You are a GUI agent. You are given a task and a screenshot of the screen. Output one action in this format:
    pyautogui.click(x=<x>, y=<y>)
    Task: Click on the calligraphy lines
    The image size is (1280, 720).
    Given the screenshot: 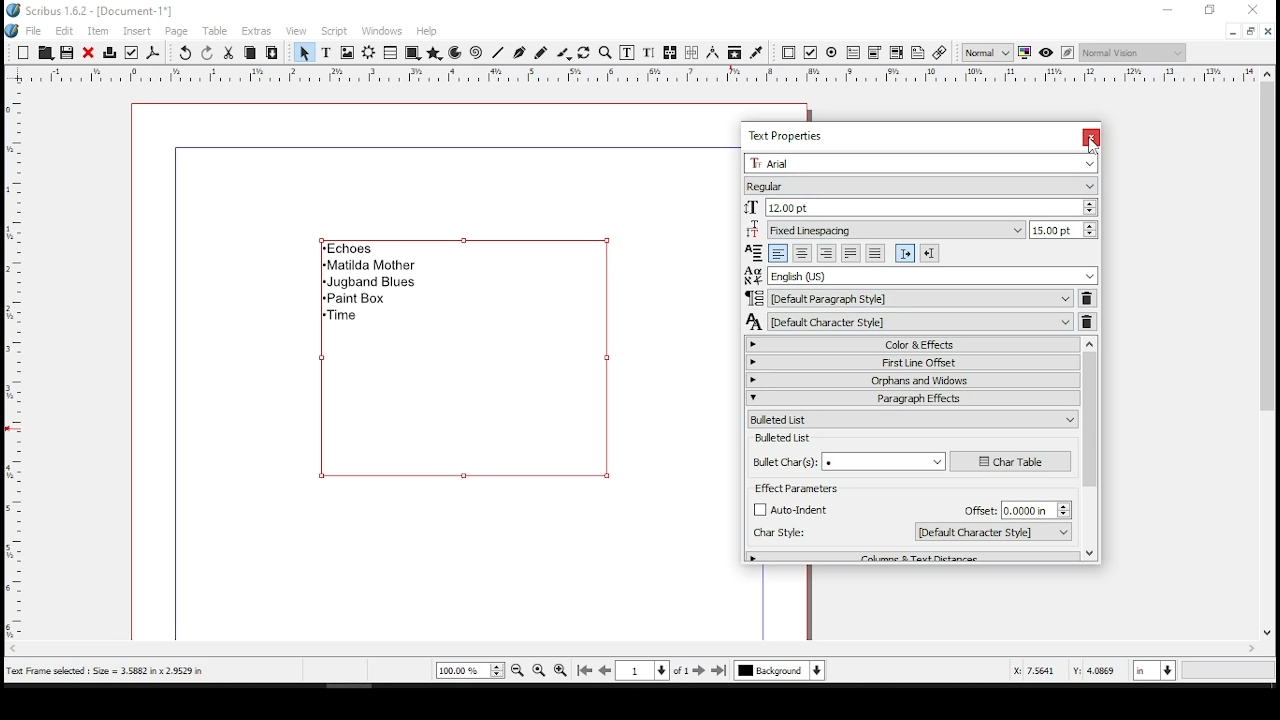 What is the action you would take?
    pyautogui.click(x=564, y=53)
    